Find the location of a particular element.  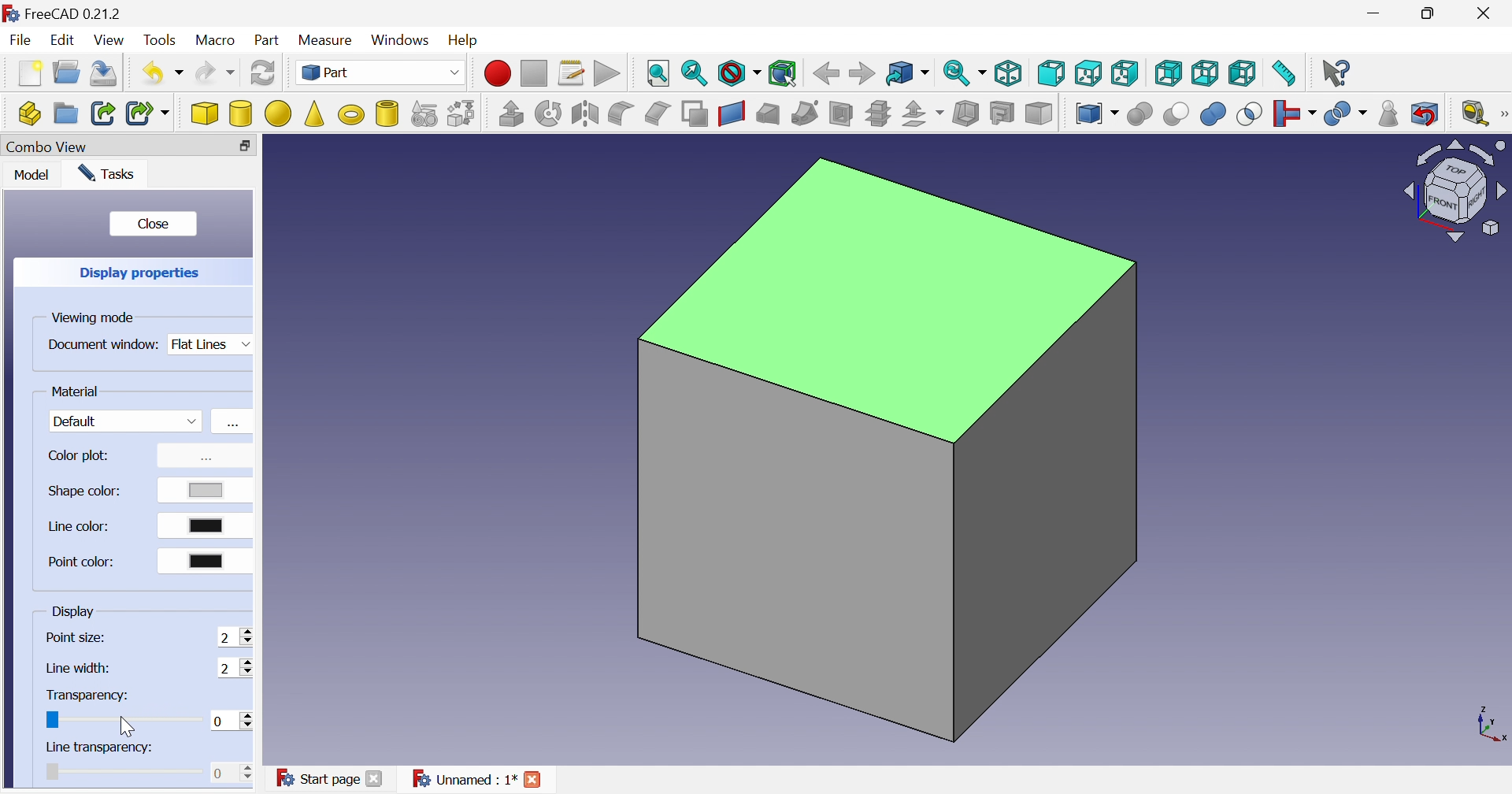

Create projection on surface is located at coordinates (1002, 113).